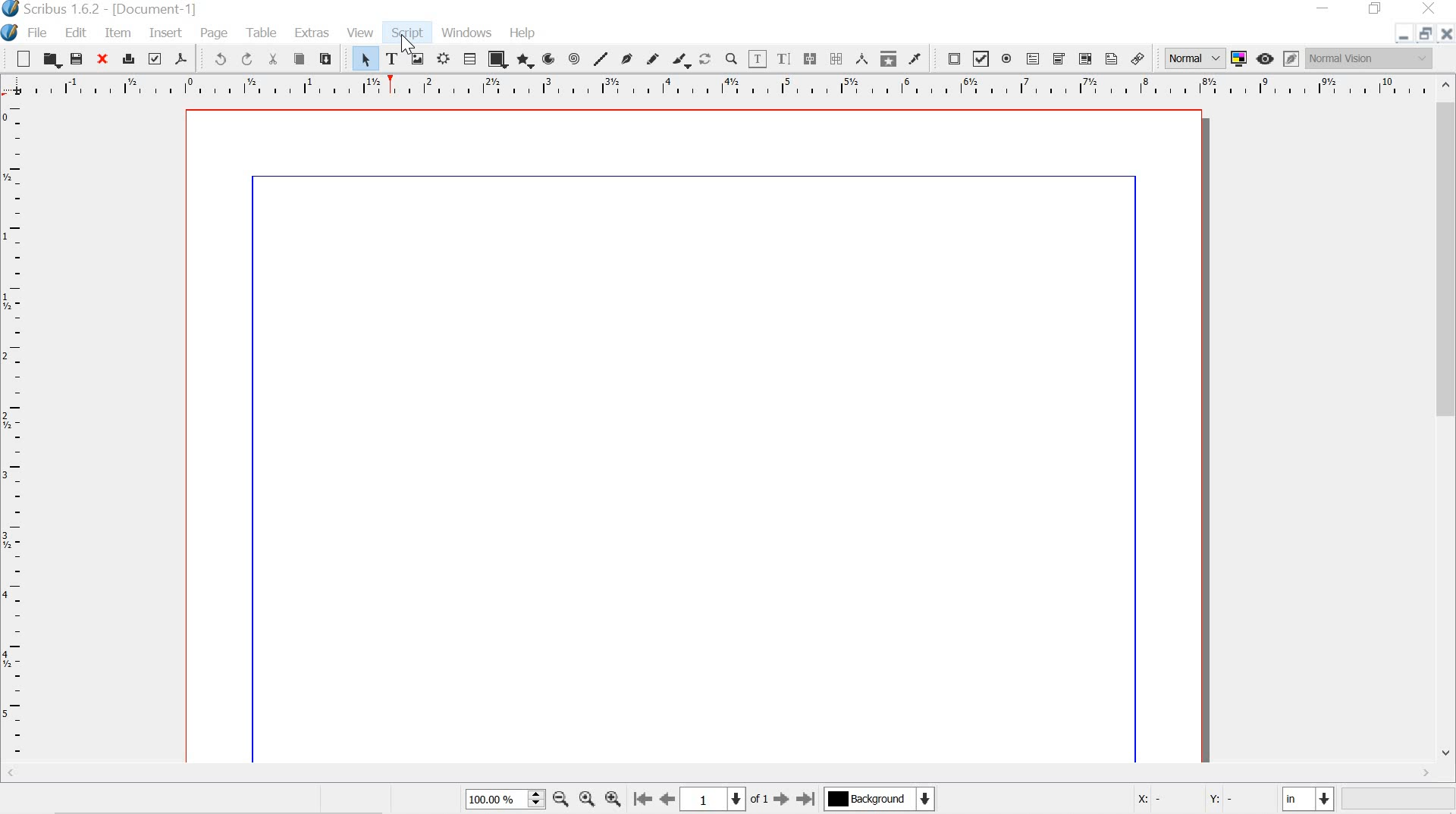 This screenshot has width=1456, height=814. What do you see at coordinates (1305, 799) in the screenshot?
I see `current unit` at bounding box center [1305, 799].